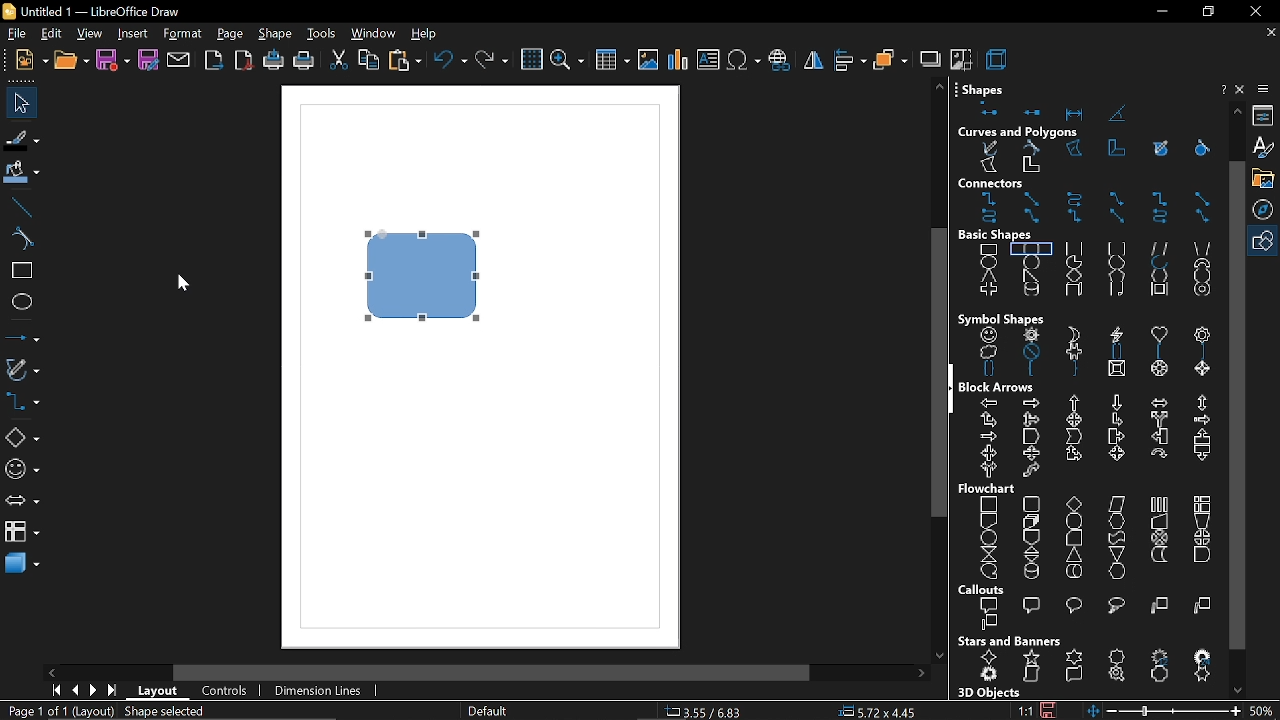  I want to click on properties, so click(1266, 116).